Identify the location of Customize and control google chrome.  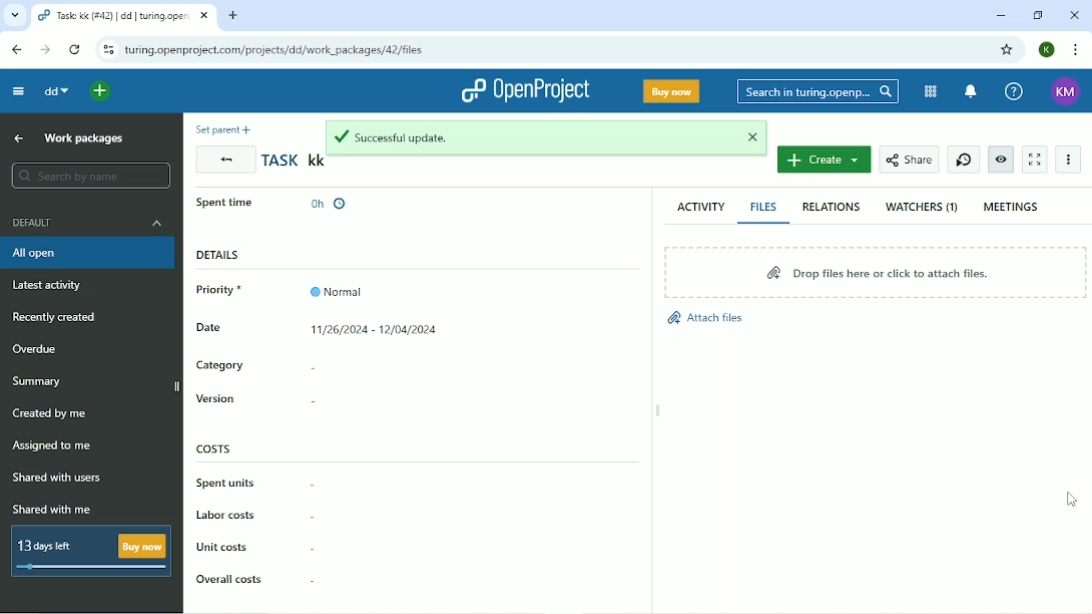
(1074, 50).